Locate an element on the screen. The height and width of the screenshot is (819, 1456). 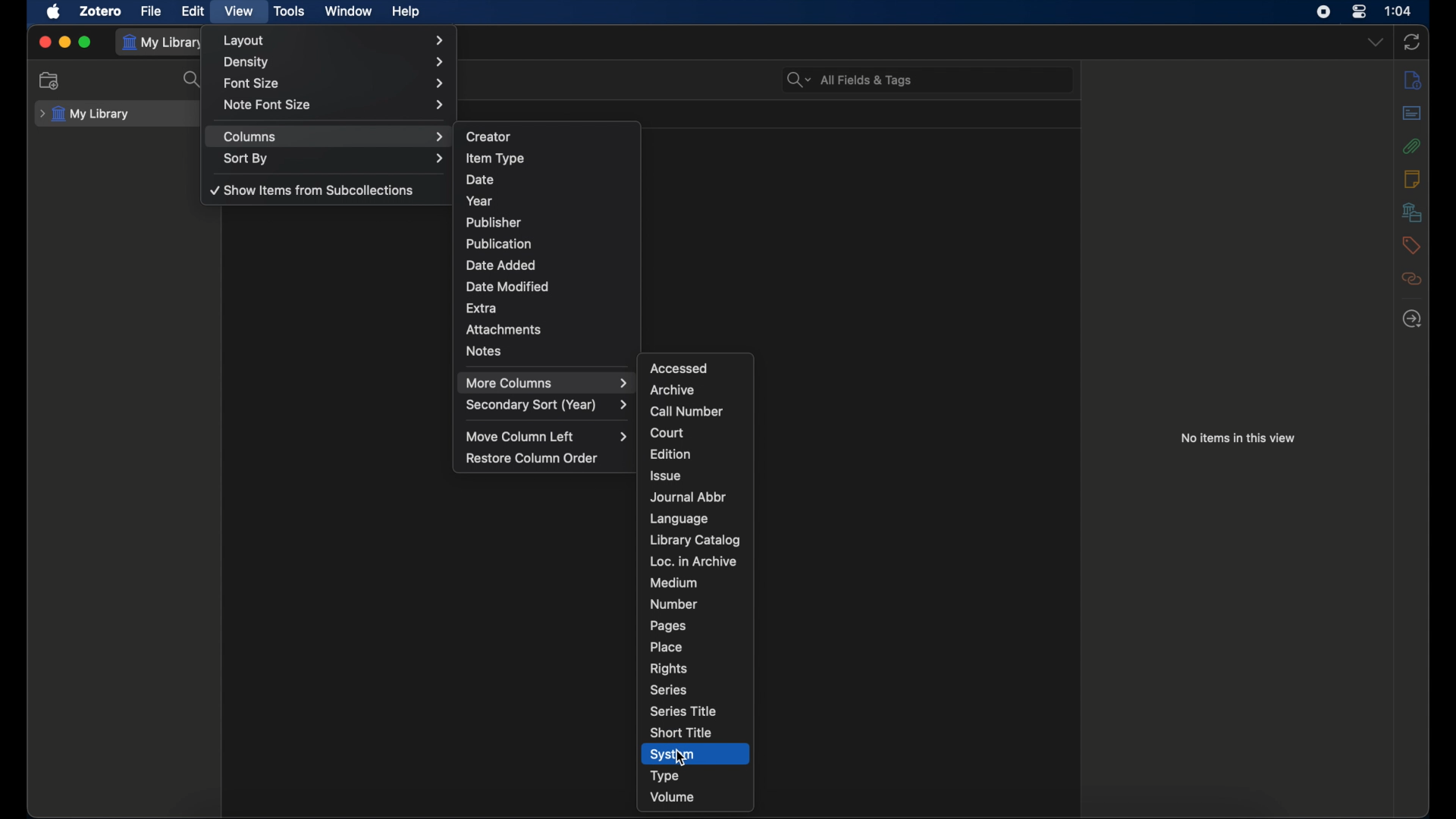
cursor is located at coordinates (683, 758).